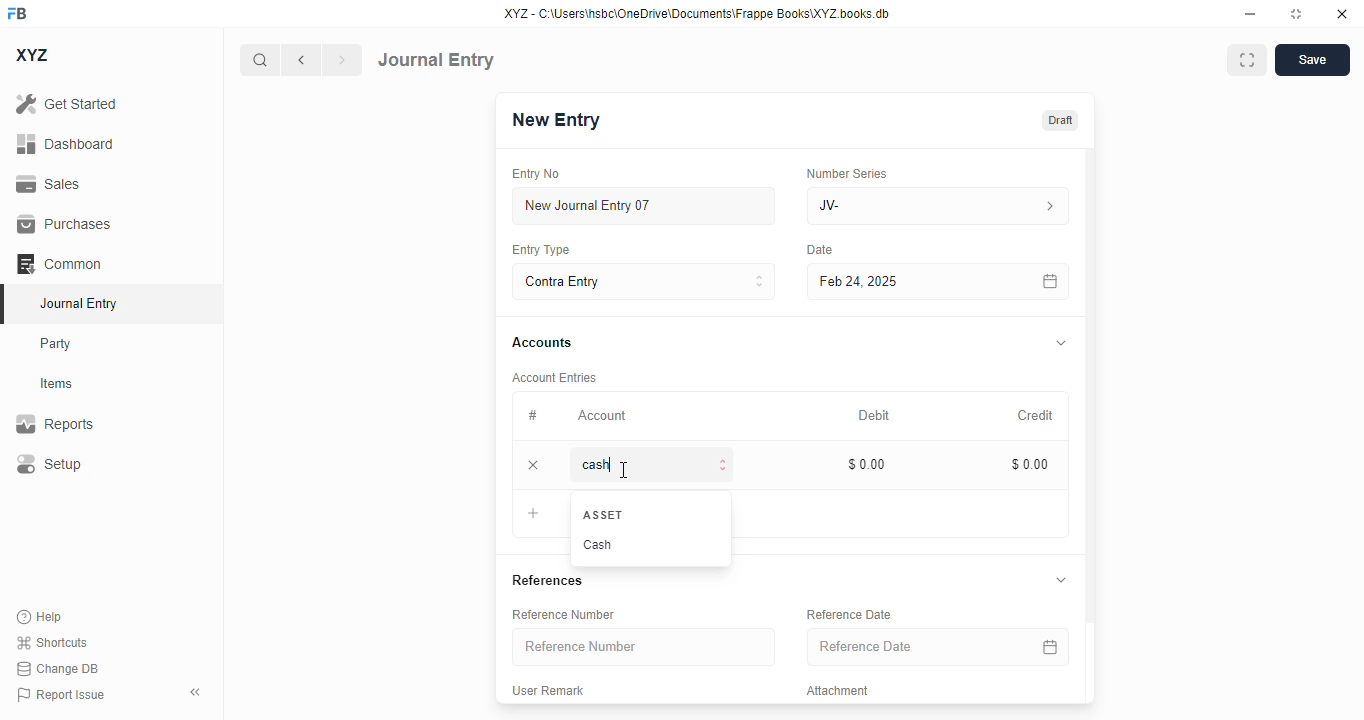  I want to click on new journal entry 07, so click(645, 205).